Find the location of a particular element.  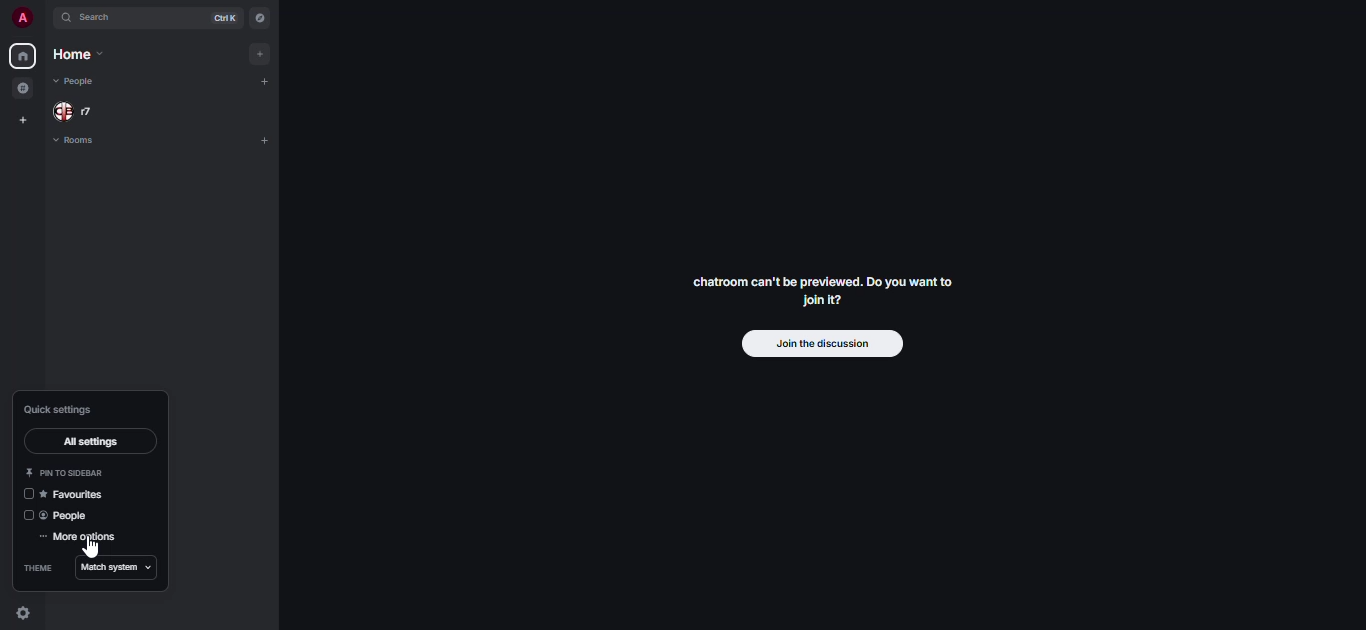

home is located at coordinates (77, 55).